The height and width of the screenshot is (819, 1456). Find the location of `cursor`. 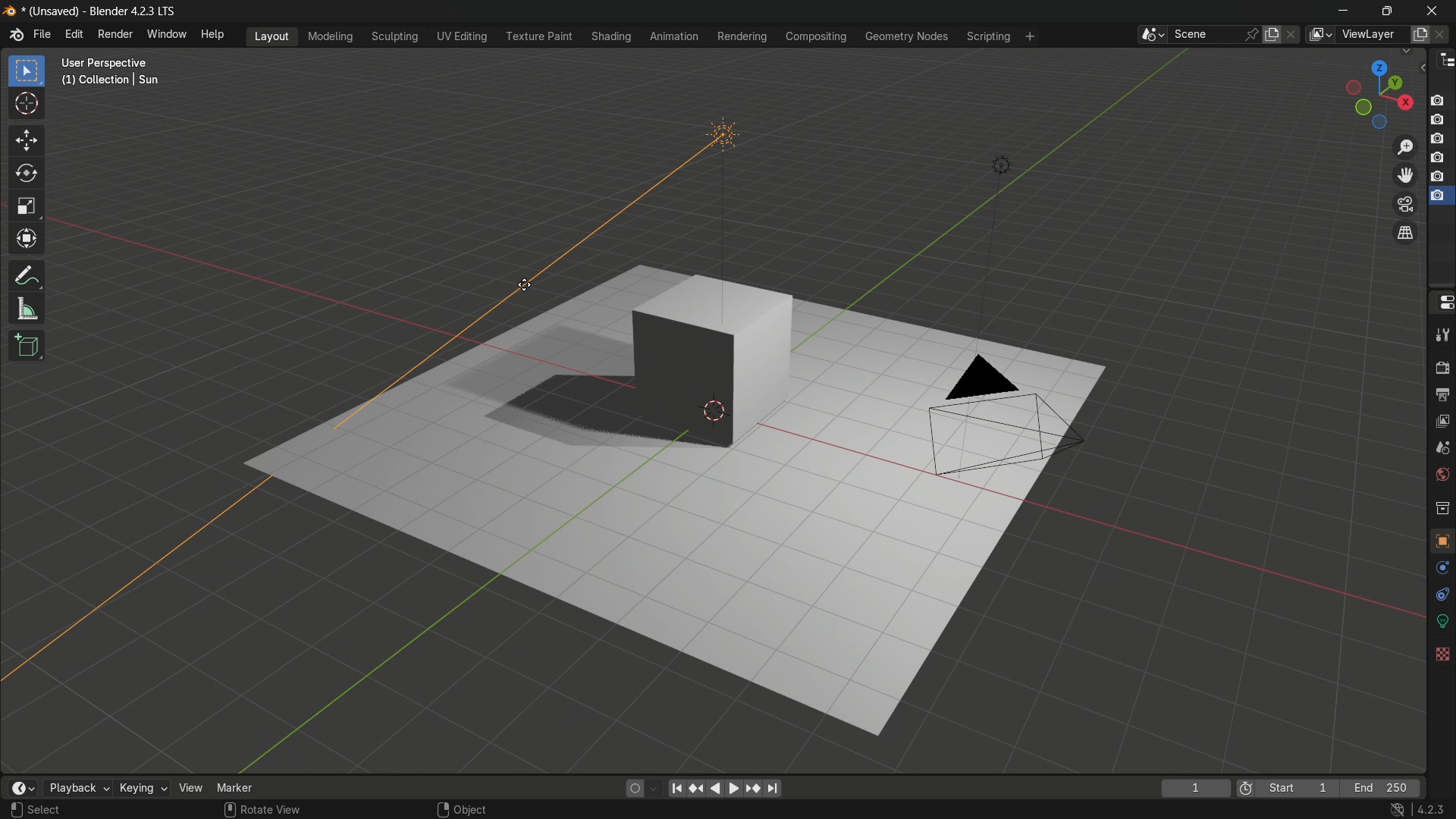

cursor is located at coordinates (526, 285).